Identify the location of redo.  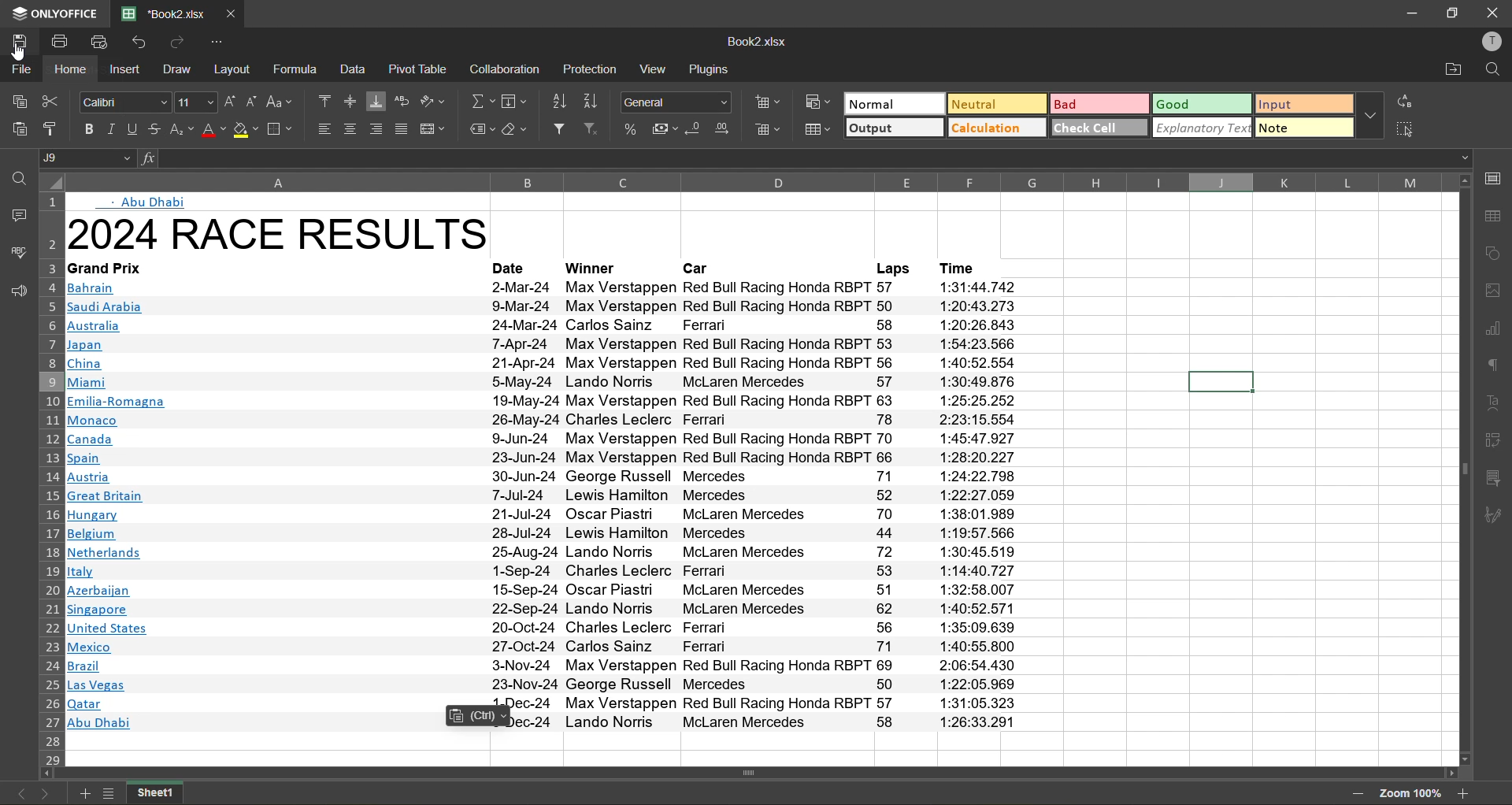
(179, 42).